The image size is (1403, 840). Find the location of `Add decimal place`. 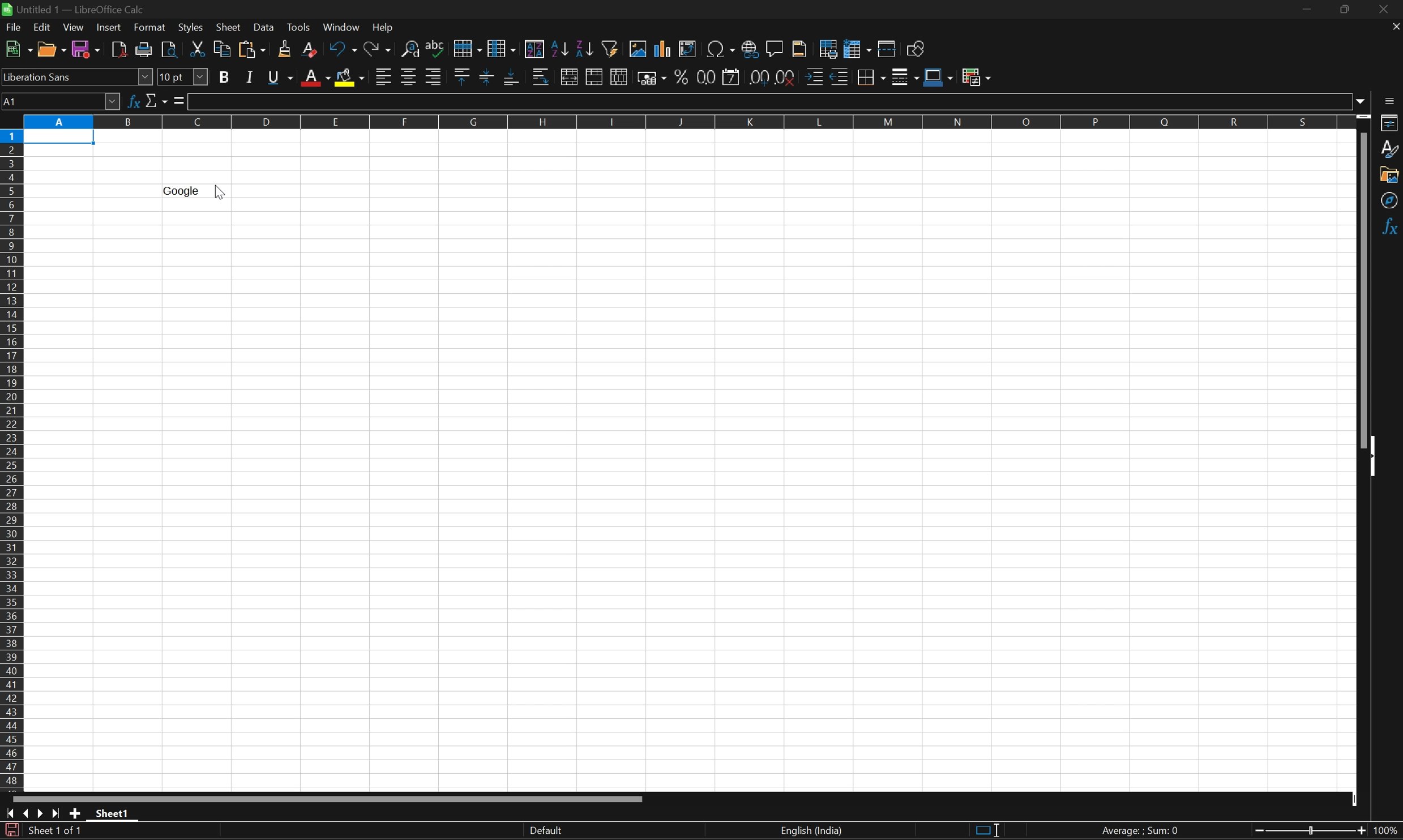

Add decimal place is located at coordinates (756, 77).